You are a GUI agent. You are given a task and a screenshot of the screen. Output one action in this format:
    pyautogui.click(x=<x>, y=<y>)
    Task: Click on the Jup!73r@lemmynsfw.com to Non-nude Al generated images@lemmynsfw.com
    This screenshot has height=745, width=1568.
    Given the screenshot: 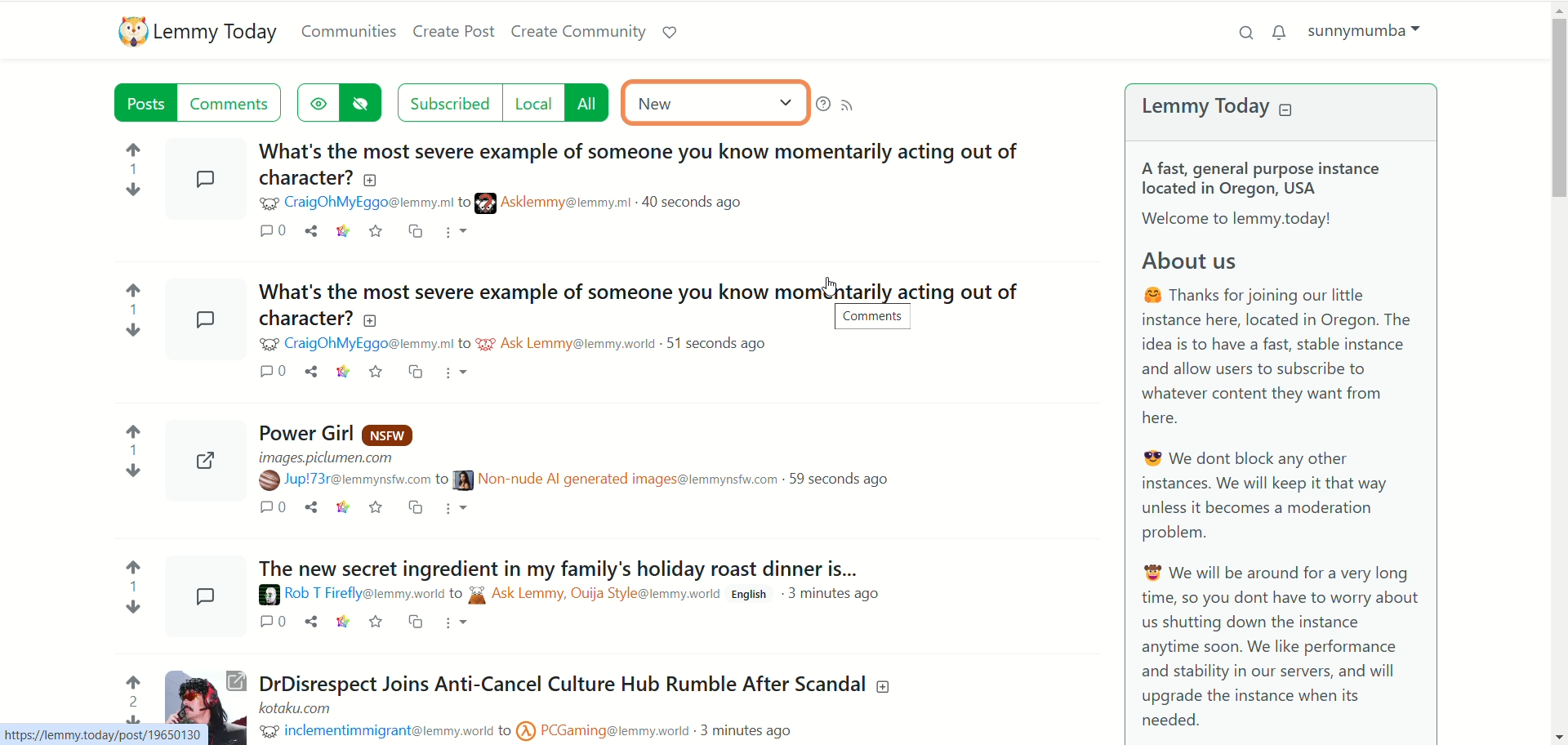 What is the action you would take?
    pyautogui.click(x=518, y=481)
    